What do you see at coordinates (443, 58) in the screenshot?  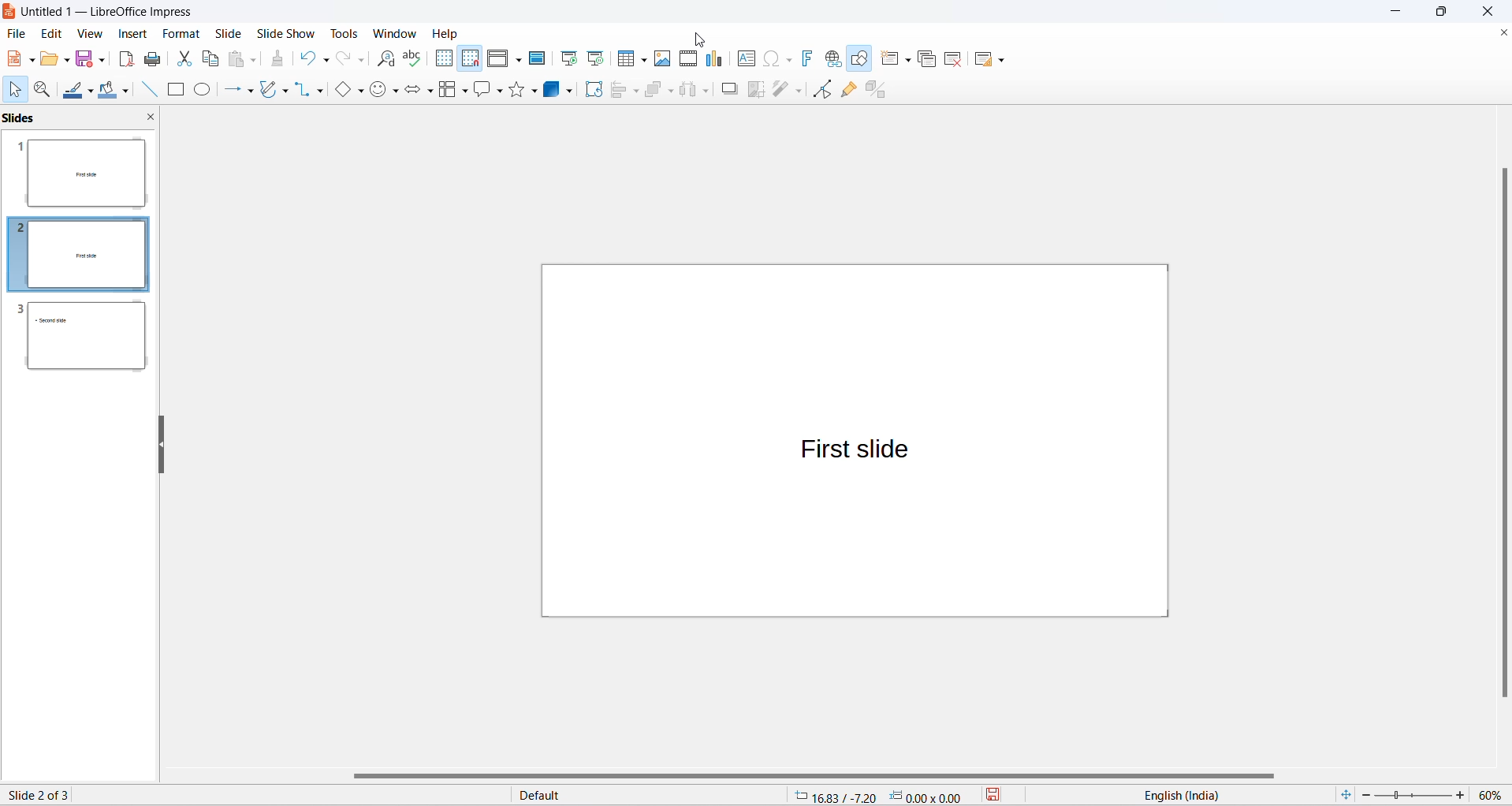 I see `display grid` at bounding box center [443, 58].